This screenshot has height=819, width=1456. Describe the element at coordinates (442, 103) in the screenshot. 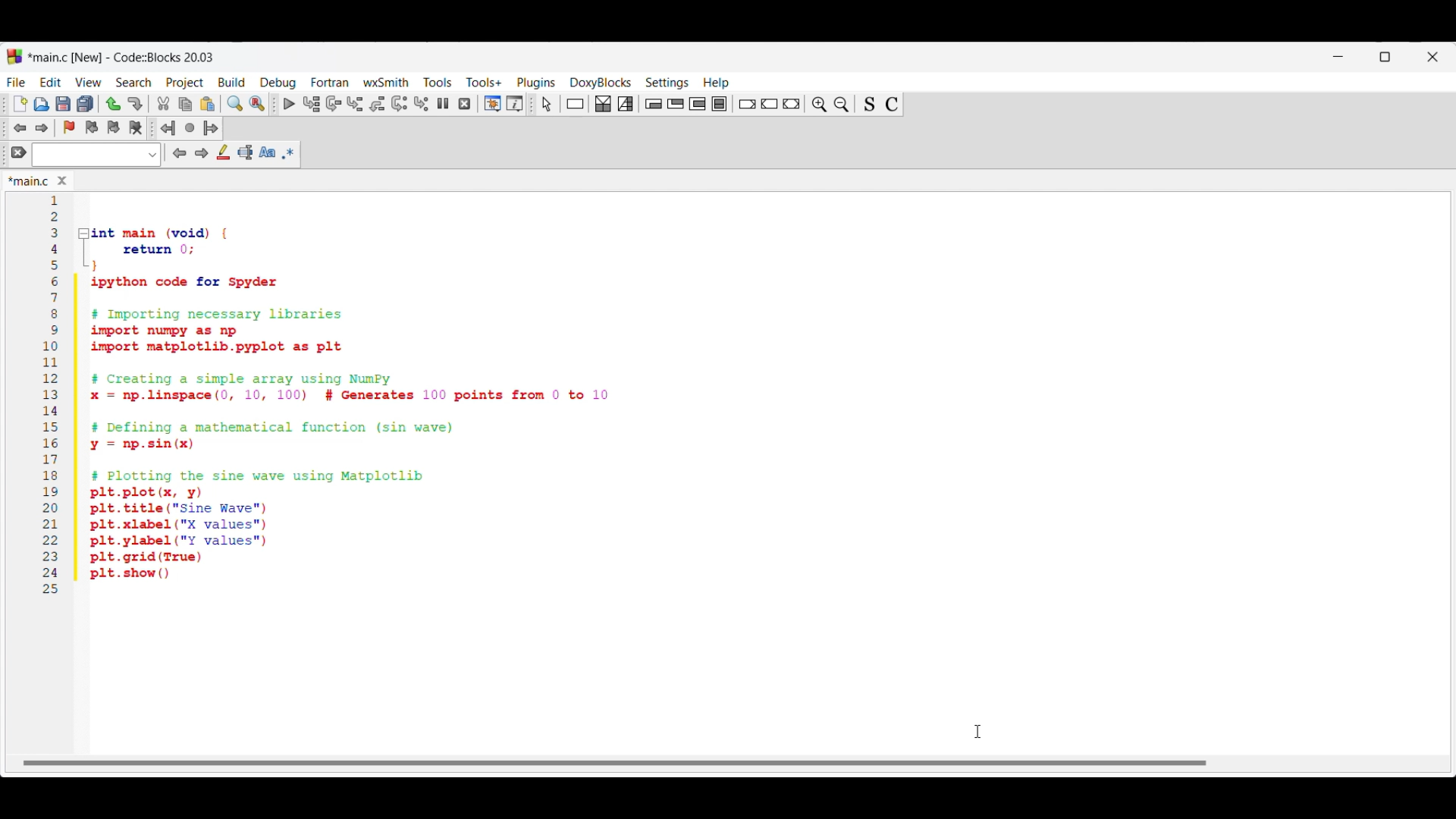

I see `Break debugger` at that location.